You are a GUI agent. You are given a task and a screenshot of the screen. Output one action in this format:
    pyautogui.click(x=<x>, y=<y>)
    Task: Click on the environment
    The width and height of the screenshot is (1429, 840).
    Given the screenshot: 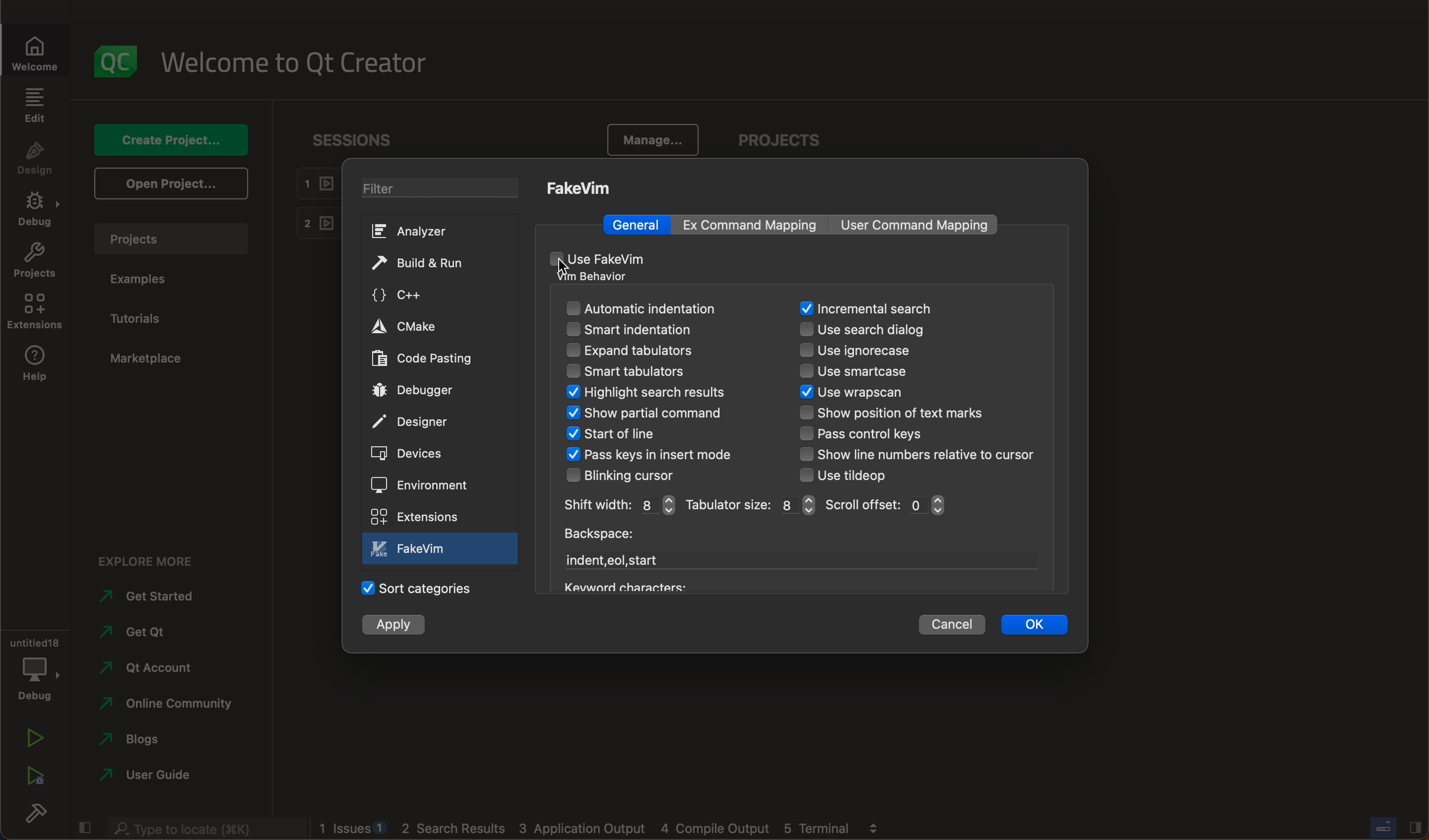 What is the action you would take?
    pyautogui.click(x=426, y=485)
    